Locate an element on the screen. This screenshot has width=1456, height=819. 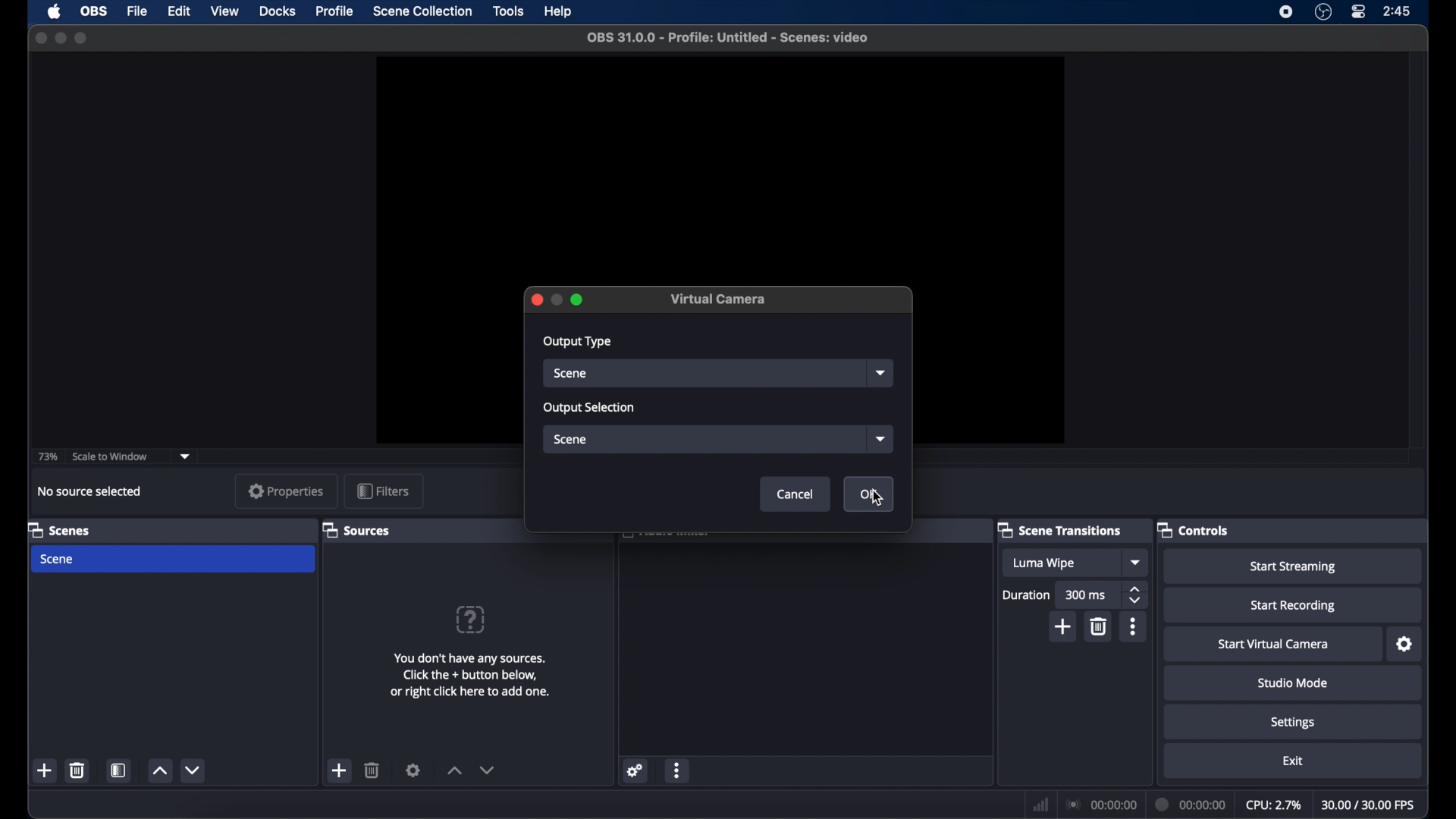
dropdown is located at coordinates (880, 438).